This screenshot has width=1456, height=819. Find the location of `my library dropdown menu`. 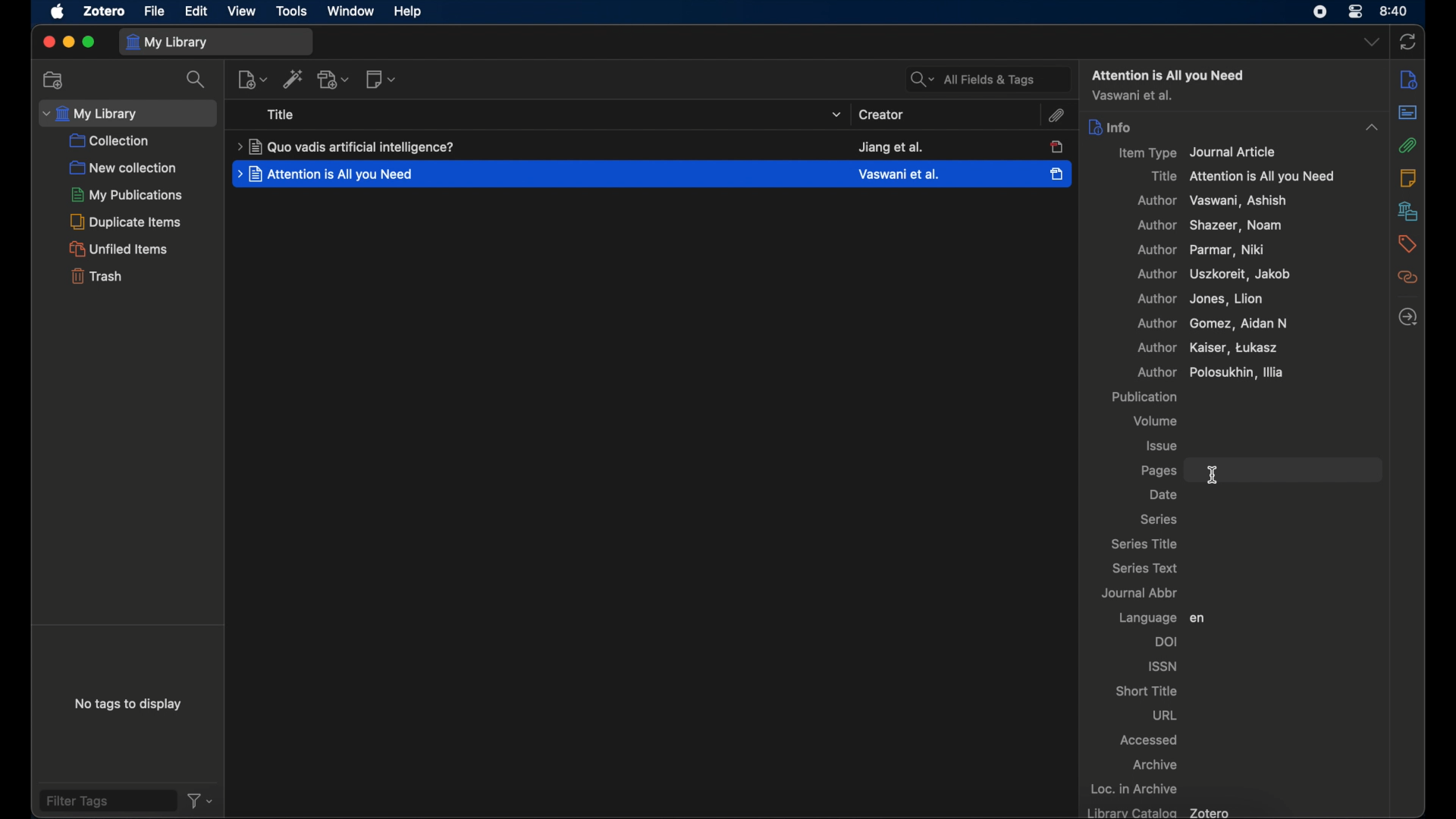

my library dropdown menu is located at coordinates (128, 112).